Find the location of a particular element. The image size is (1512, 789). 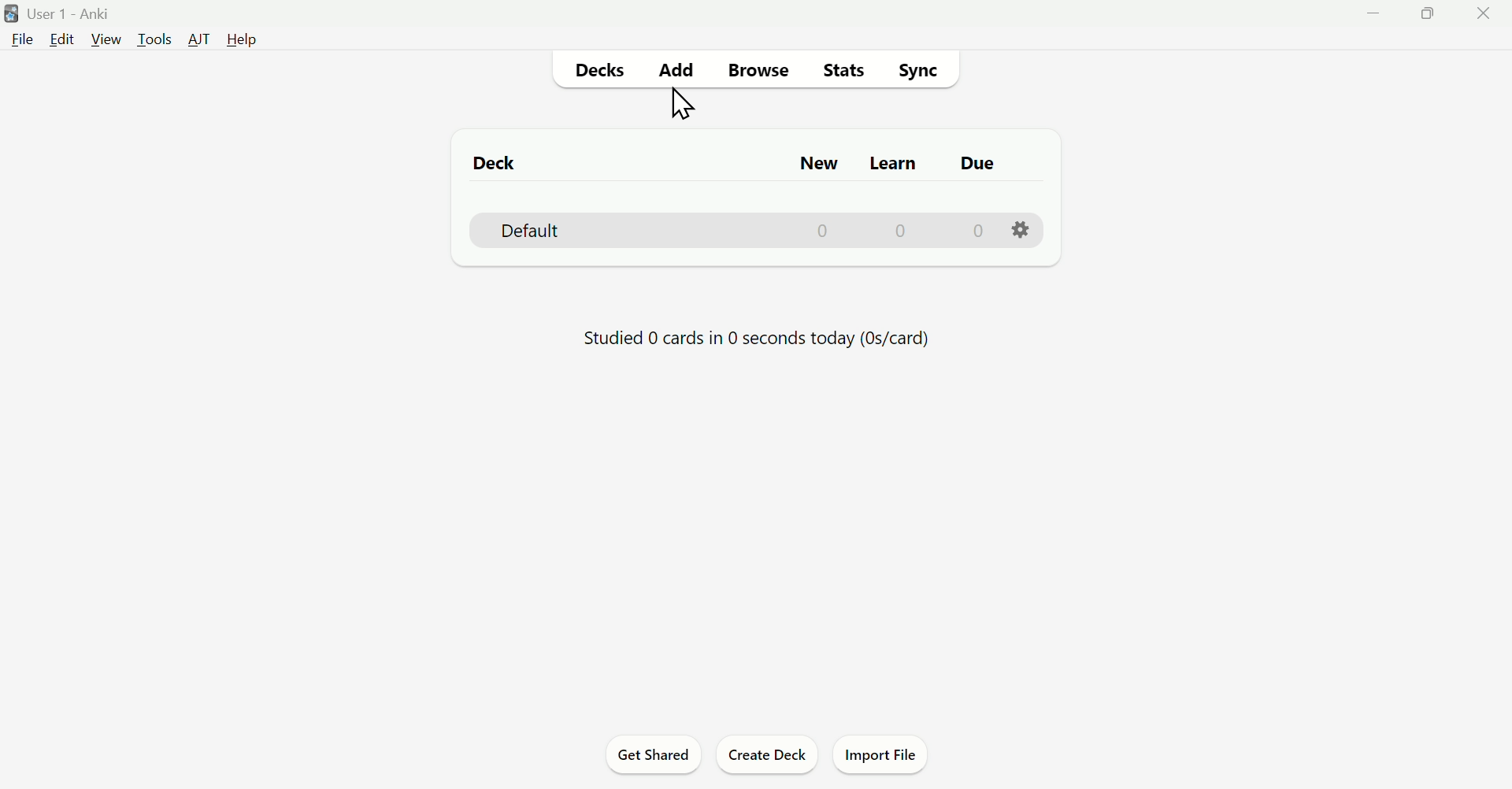

Decks is located at coordinates (600, 68).